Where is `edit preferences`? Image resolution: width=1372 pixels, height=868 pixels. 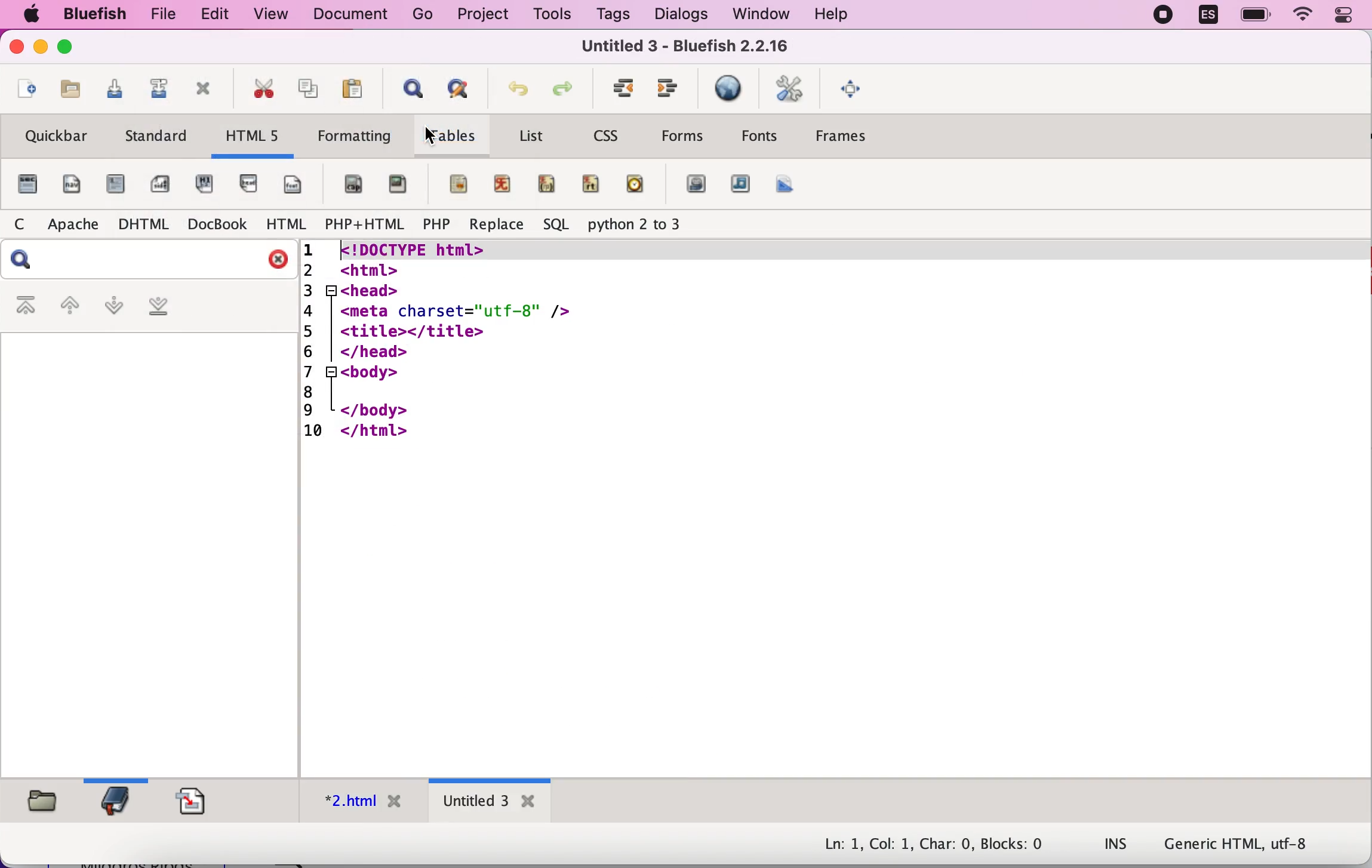
edit preferences is located at coordinates (790, 85).